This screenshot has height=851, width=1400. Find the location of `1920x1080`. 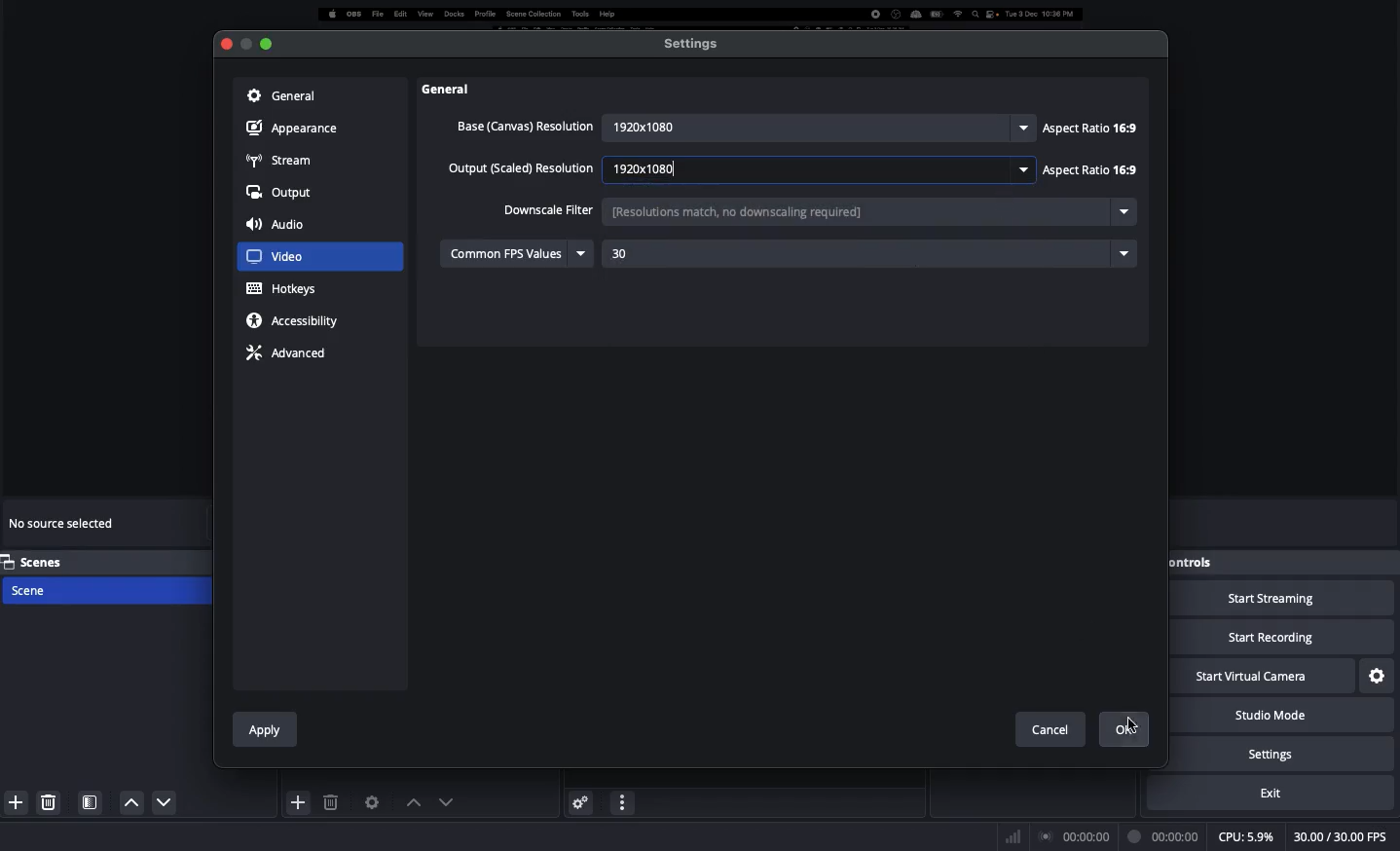

1920x1080 is located at coordinates (813, 125).